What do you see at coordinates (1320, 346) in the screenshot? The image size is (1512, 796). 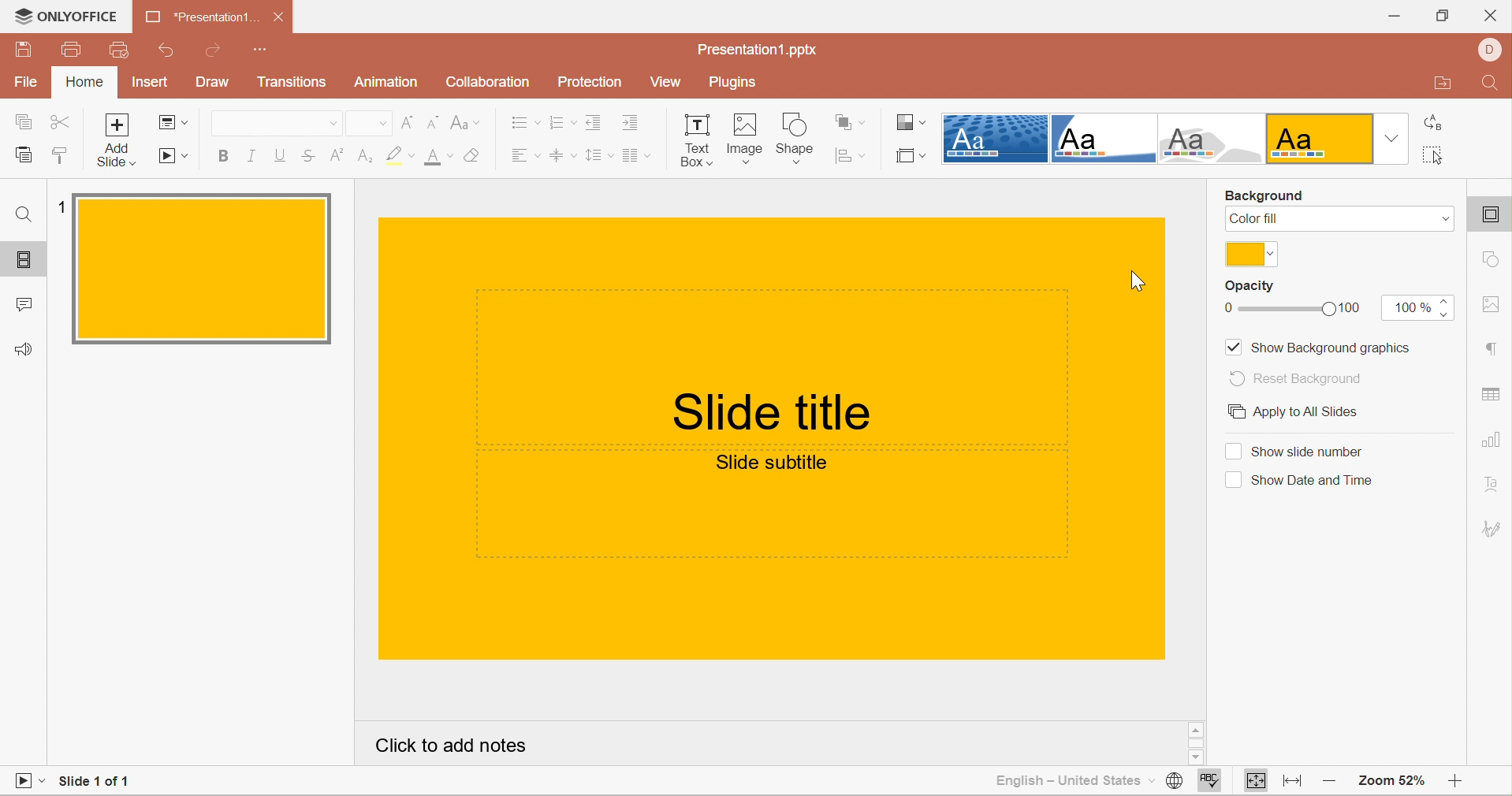 I see `Show background graphics` at bounding box center [1320, 346].